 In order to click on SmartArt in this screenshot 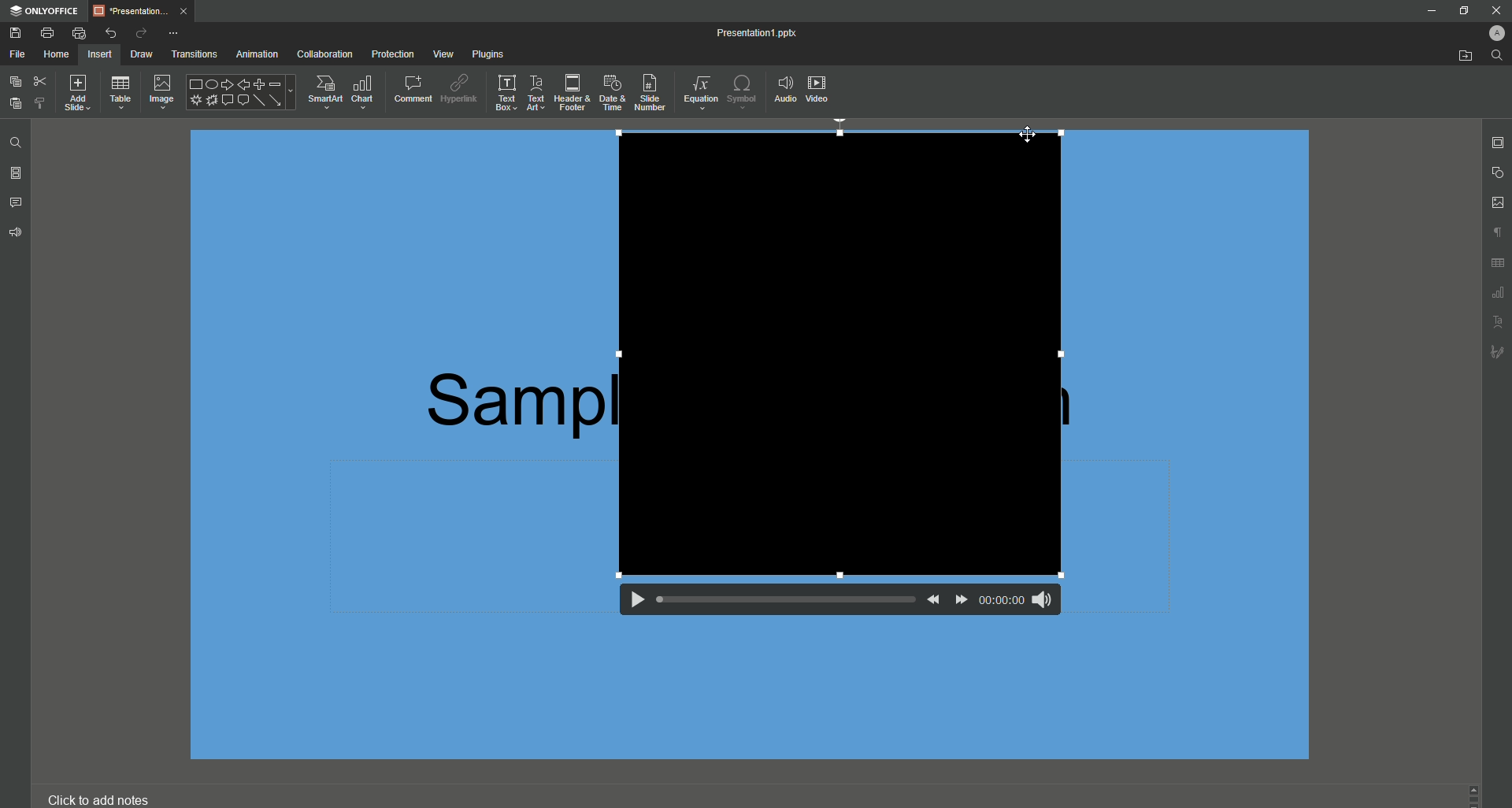, I will do `click(324, 91)`.